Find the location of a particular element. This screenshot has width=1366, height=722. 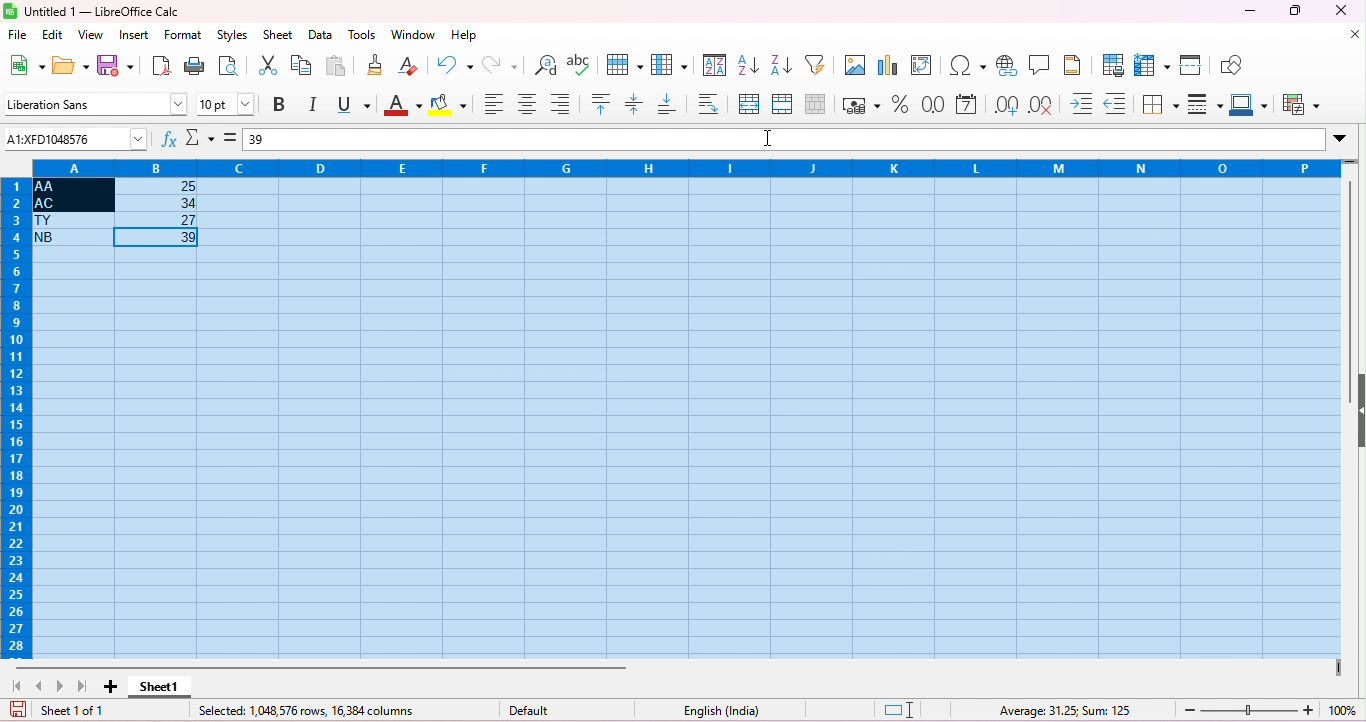

insert chart is located at coordinates (890, 64).